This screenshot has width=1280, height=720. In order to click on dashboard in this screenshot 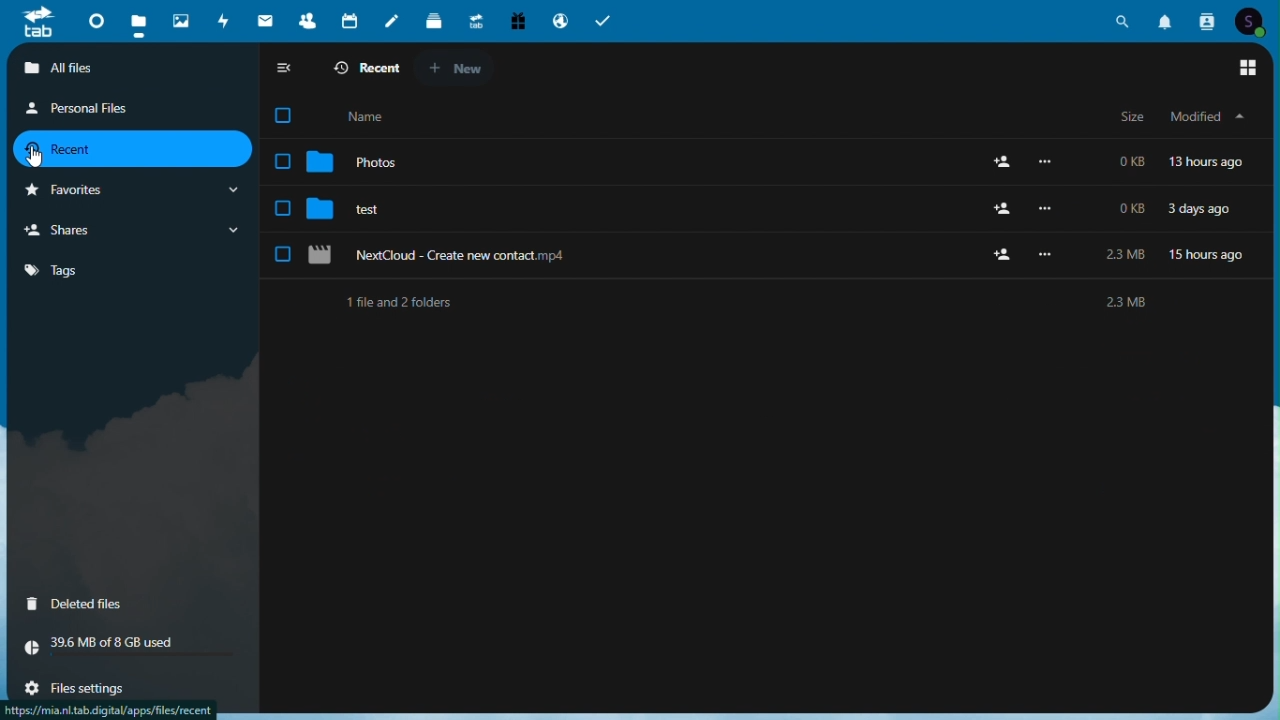, I will do `click(95, 19)`.